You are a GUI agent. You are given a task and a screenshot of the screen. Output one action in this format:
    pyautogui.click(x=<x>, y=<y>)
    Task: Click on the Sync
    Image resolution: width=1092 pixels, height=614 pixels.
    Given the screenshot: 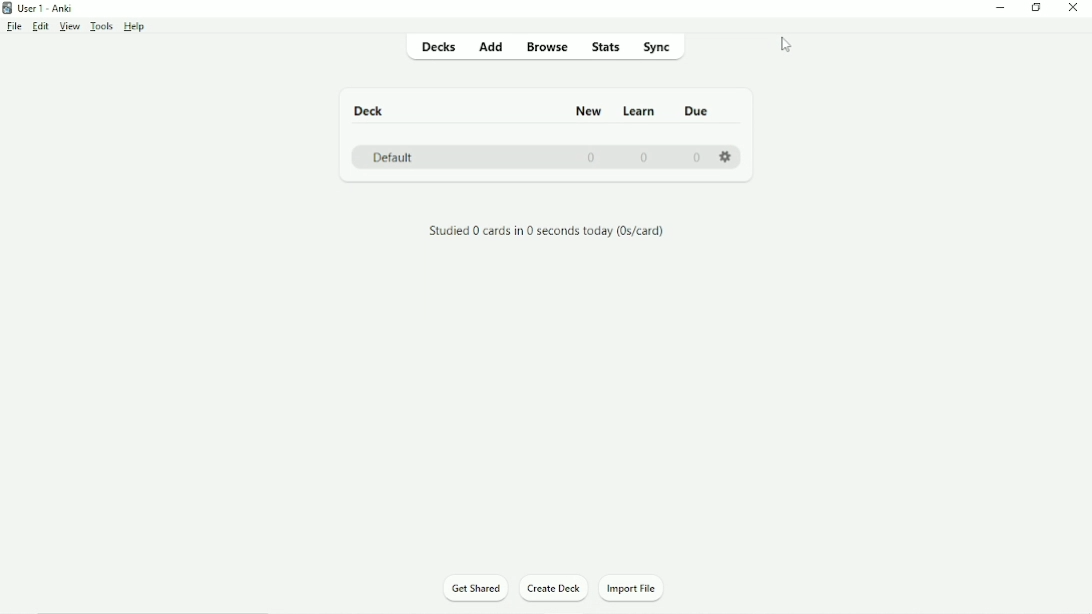 What is the action you would take?
    pyautogui.click(x=660, y=48)
    